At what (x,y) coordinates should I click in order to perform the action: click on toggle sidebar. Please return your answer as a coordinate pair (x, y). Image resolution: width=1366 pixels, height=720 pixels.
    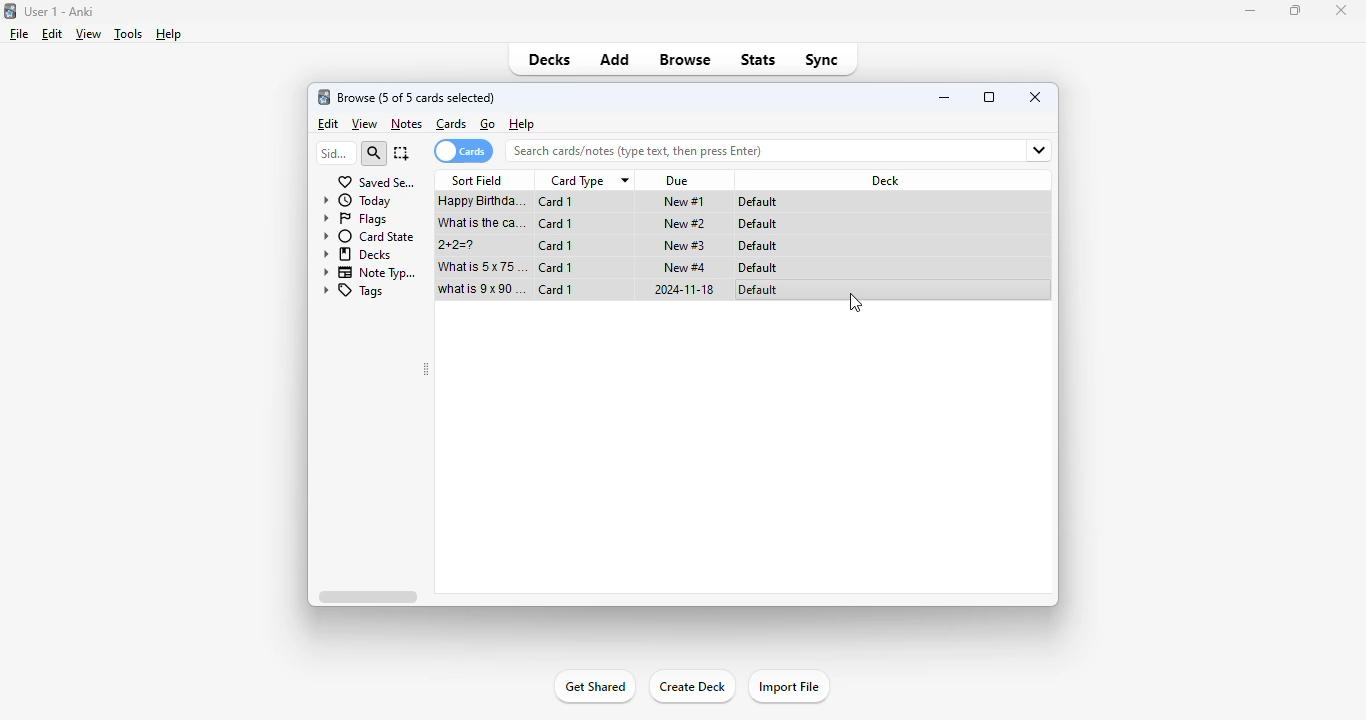
    Looking at the image, I should click on (426, 369).